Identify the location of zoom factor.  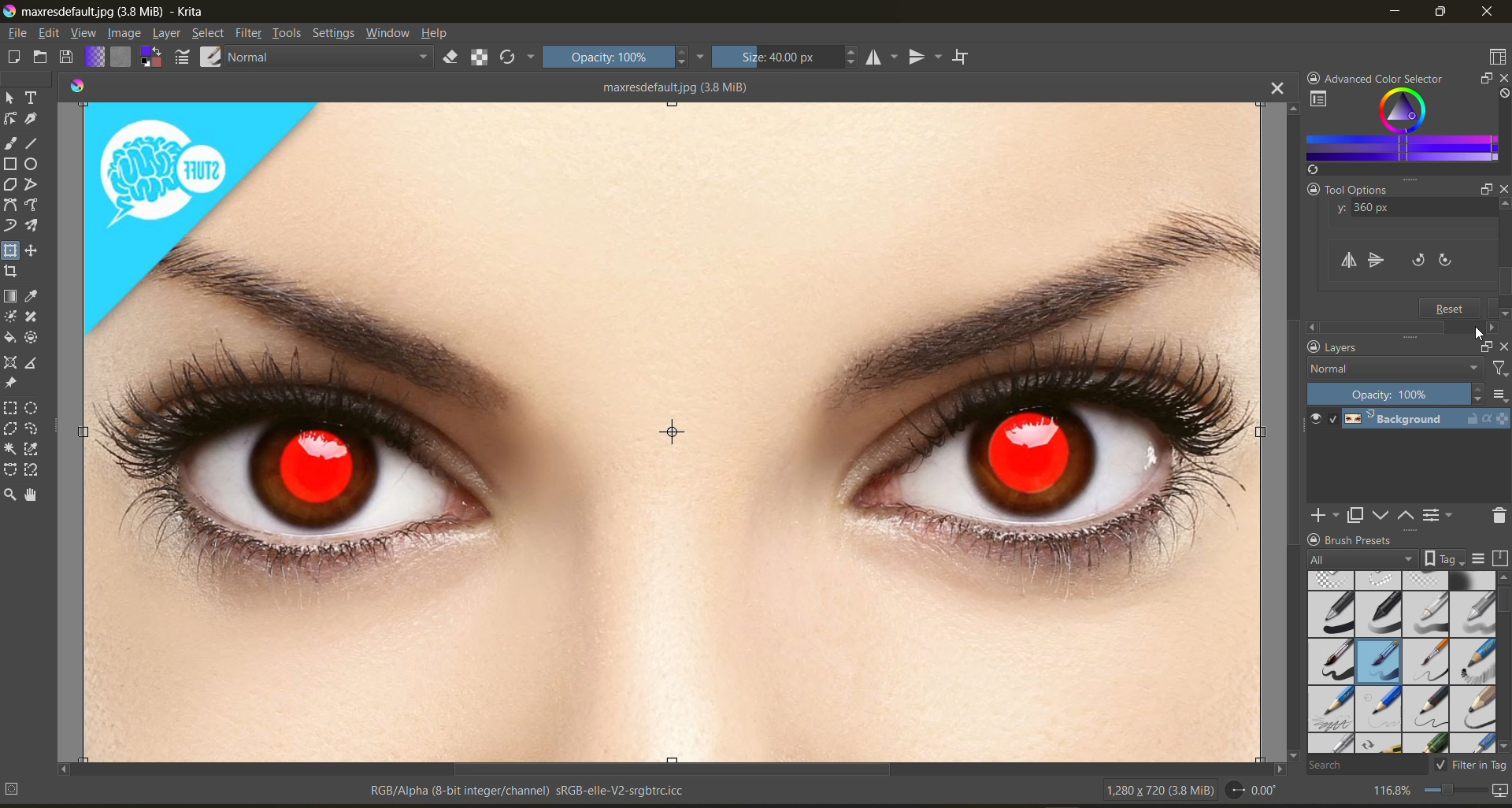
(1393, 790).